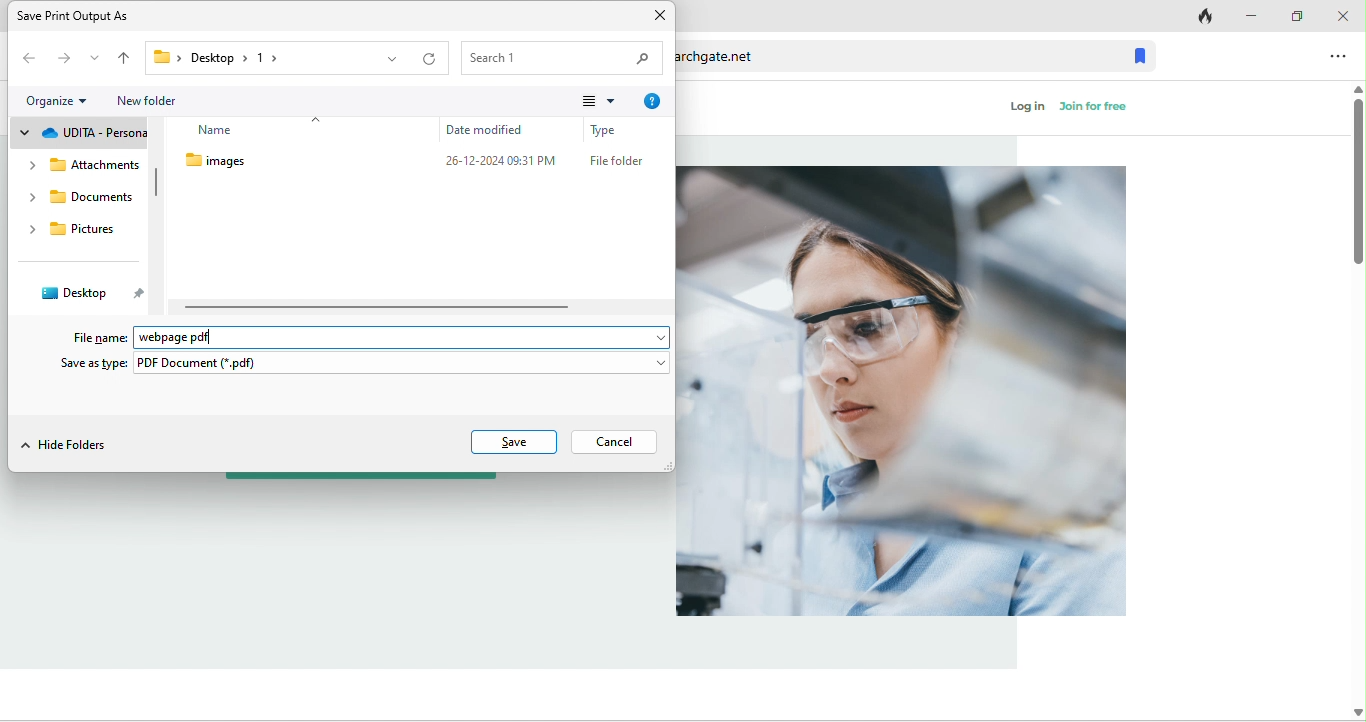 The width and height of the screenshot is (1366, 722). What do you see at coordinates (237, 132) in the screenshot?
I see `name` at bounding box center [237, 132].